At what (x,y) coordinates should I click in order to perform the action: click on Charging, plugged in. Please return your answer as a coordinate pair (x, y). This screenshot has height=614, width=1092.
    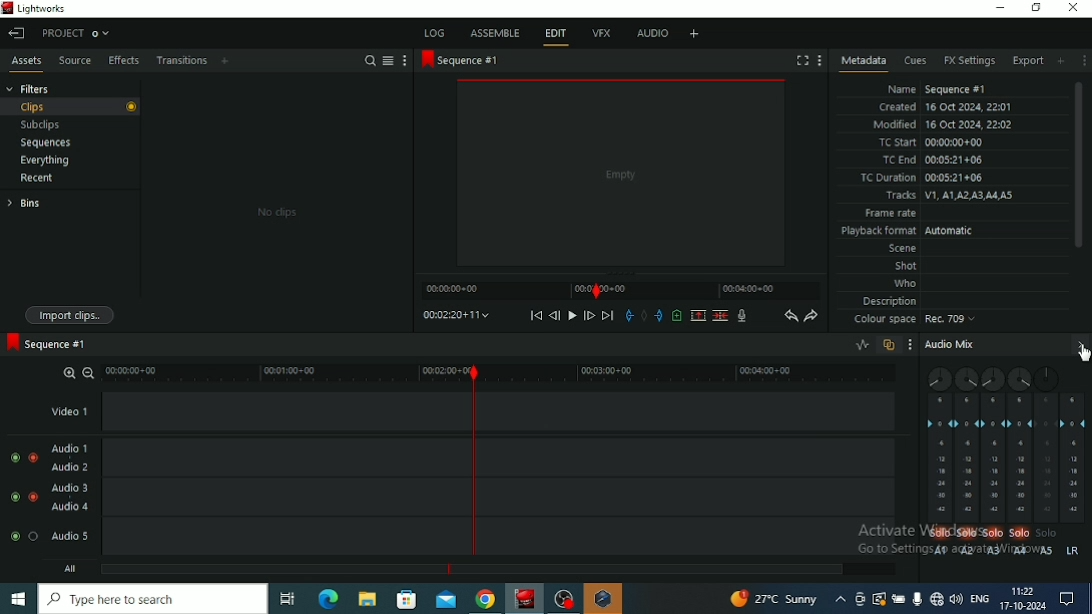
    Looking at the image, I should click on (899, 599).